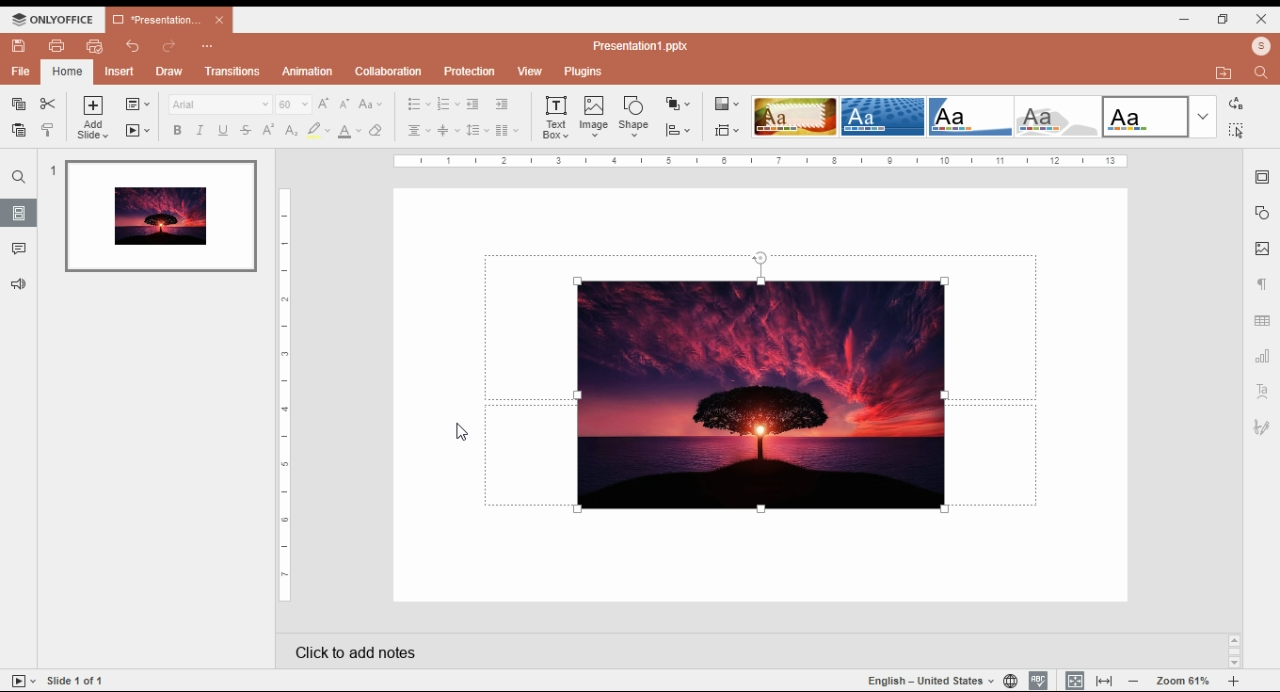 Image resolution: width=1280 pixels, height=692 pixels. What do you see at coordinates (132, 47) in the screenshot?
I see `undo` at bounding box center [132, 47].